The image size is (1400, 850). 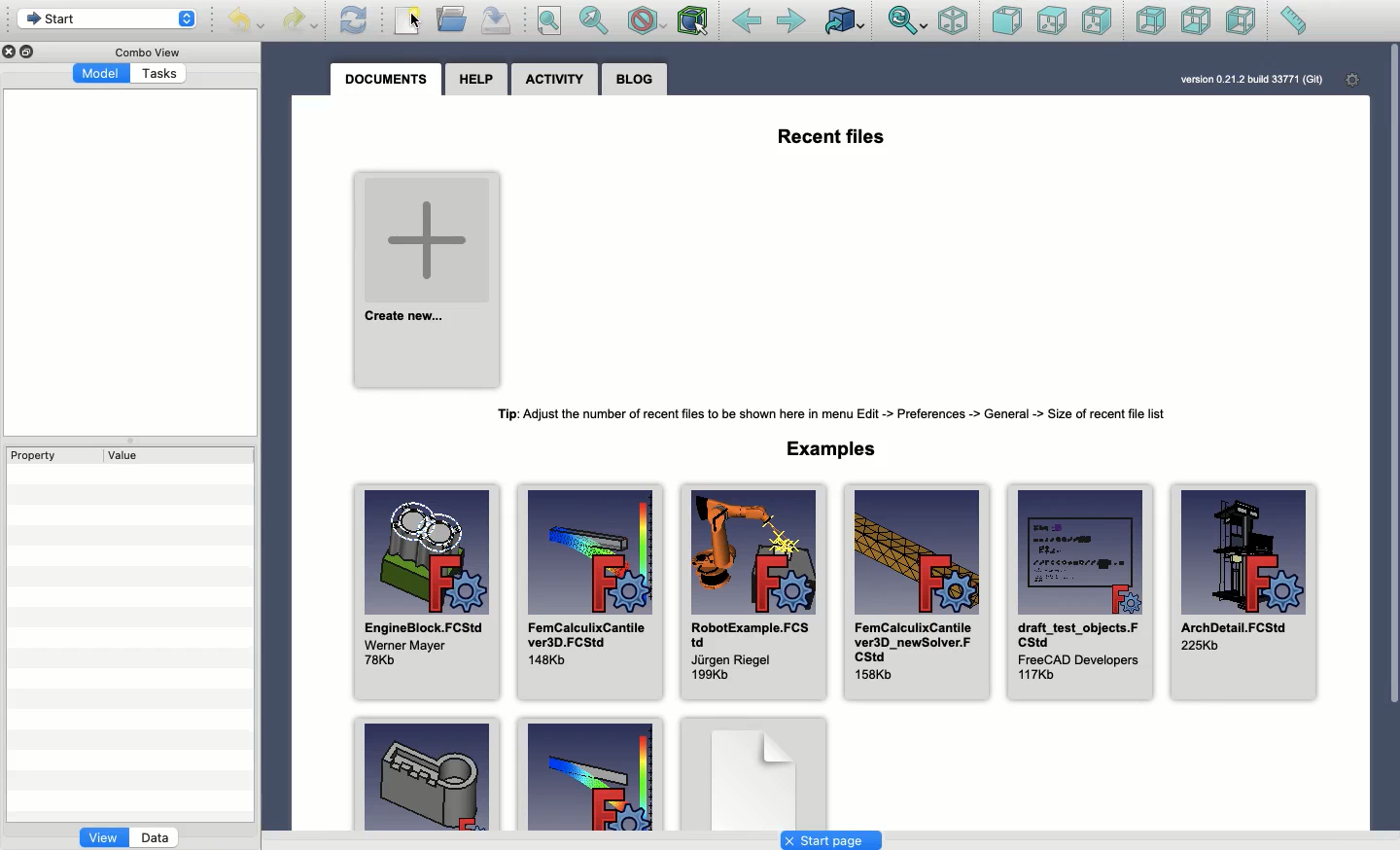 I want to click on RobotExample, so click(x=752, y=591).